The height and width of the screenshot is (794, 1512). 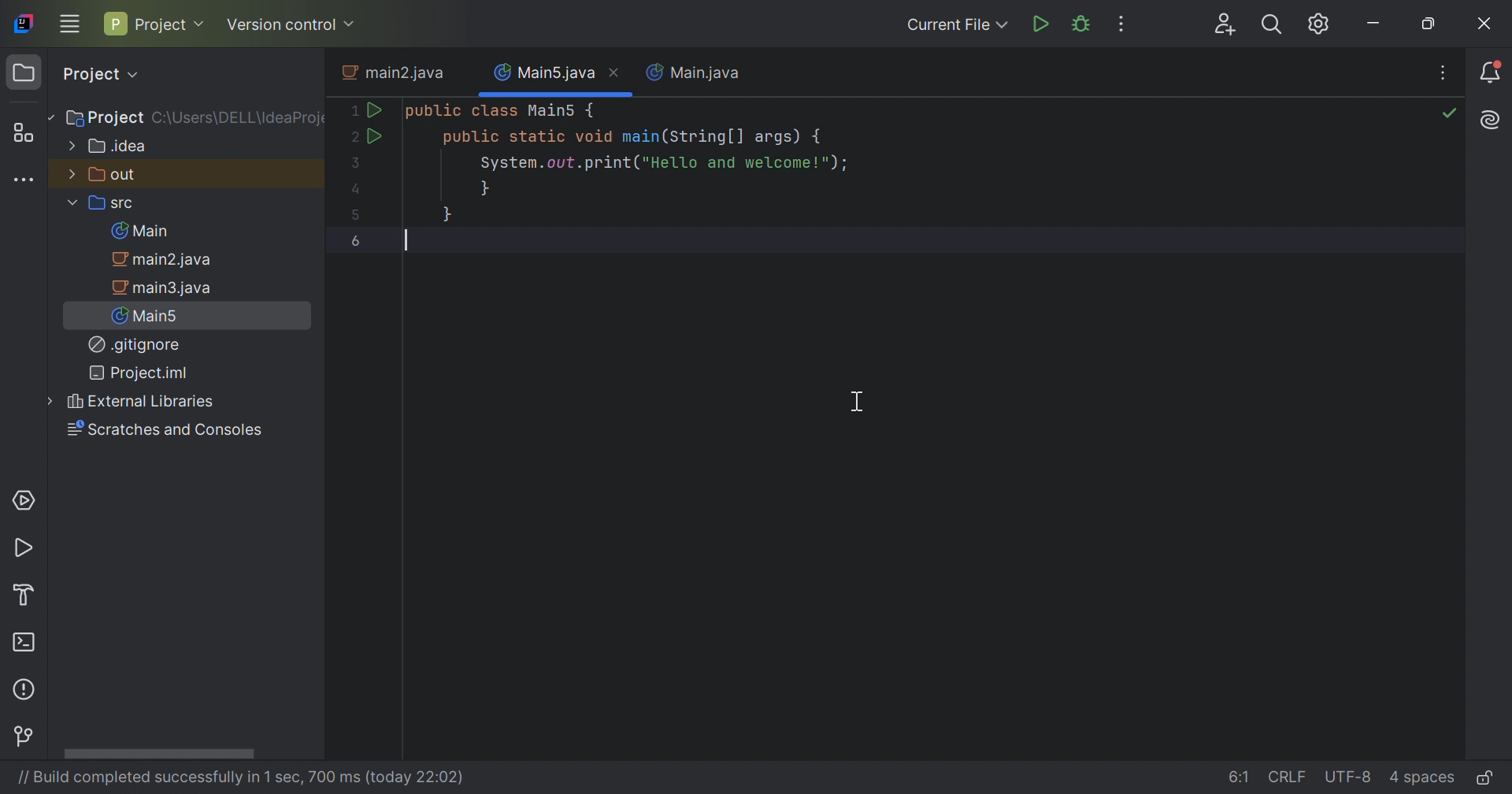 I want to click on Run, so click(x=27, y=550).